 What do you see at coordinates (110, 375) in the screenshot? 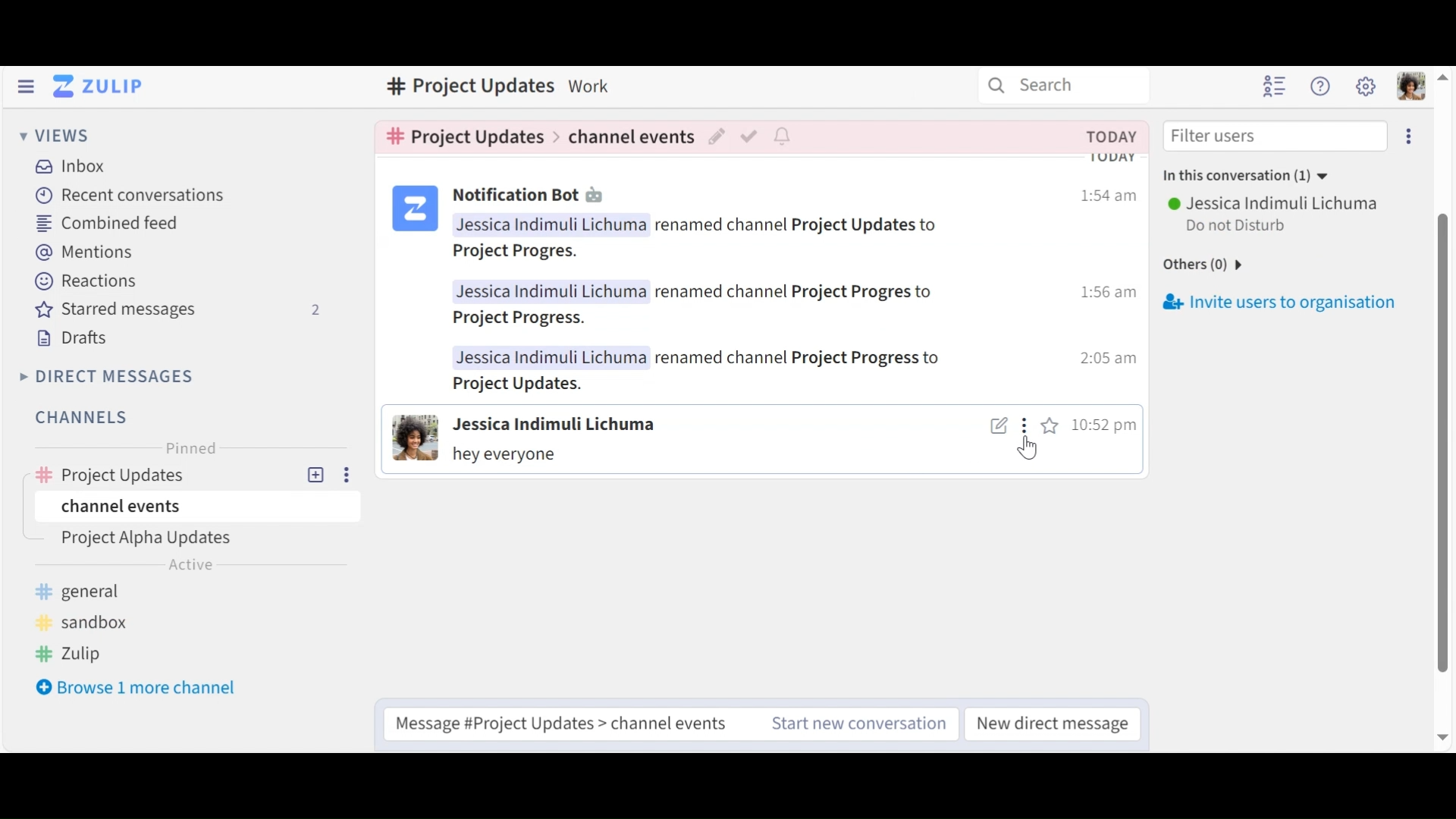
I see `Direct Messages` at bounding box center [110, 375].